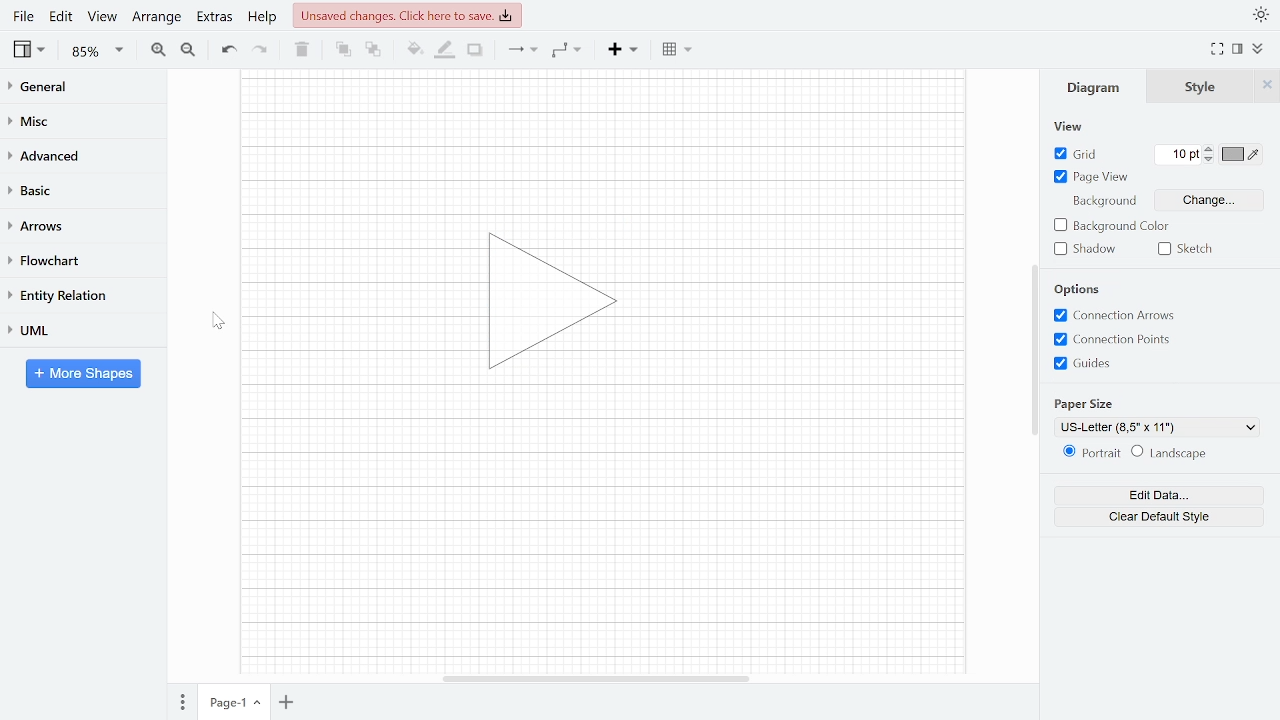  Describe the element at coordinates (1097, 203) in the screenshot. I see `‘Background` at that location.